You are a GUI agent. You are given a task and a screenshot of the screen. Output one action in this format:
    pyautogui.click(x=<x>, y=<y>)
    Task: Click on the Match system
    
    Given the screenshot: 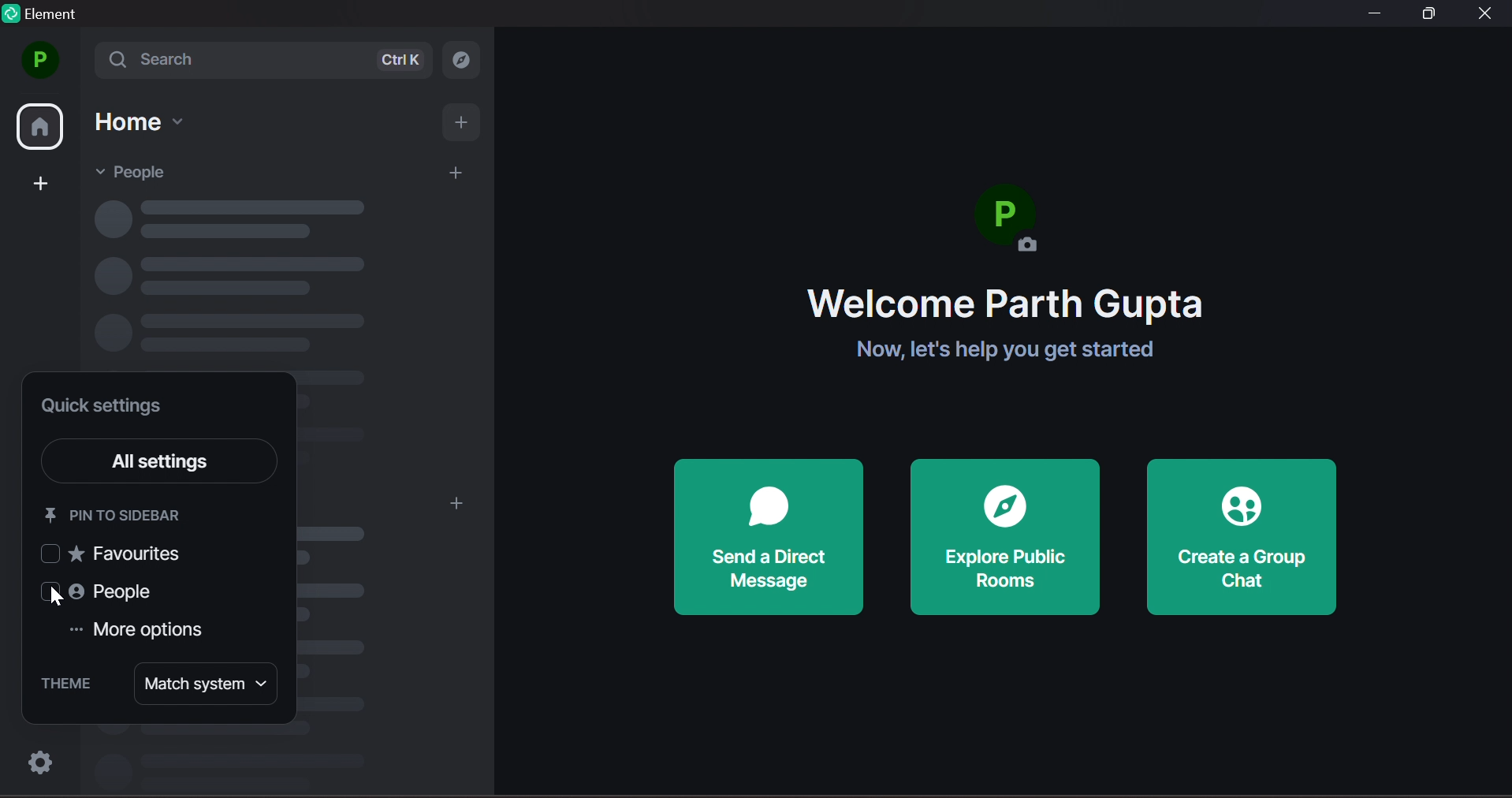 What is the action you would take?
    pyautogui.click(x=206, y=685)
    